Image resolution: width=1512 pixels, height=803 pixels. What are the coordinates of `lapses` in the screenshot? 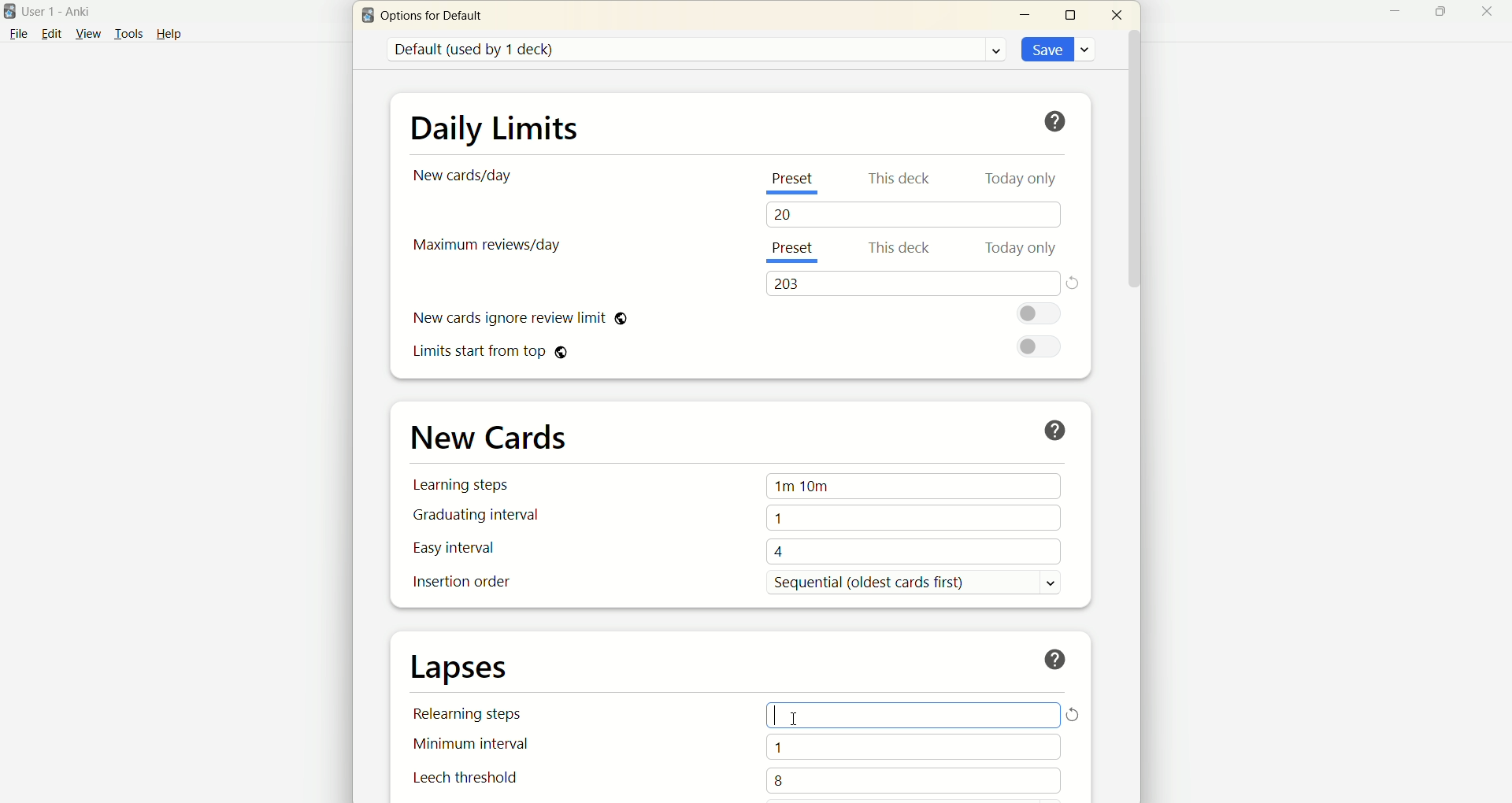 It's located at (461, 669).